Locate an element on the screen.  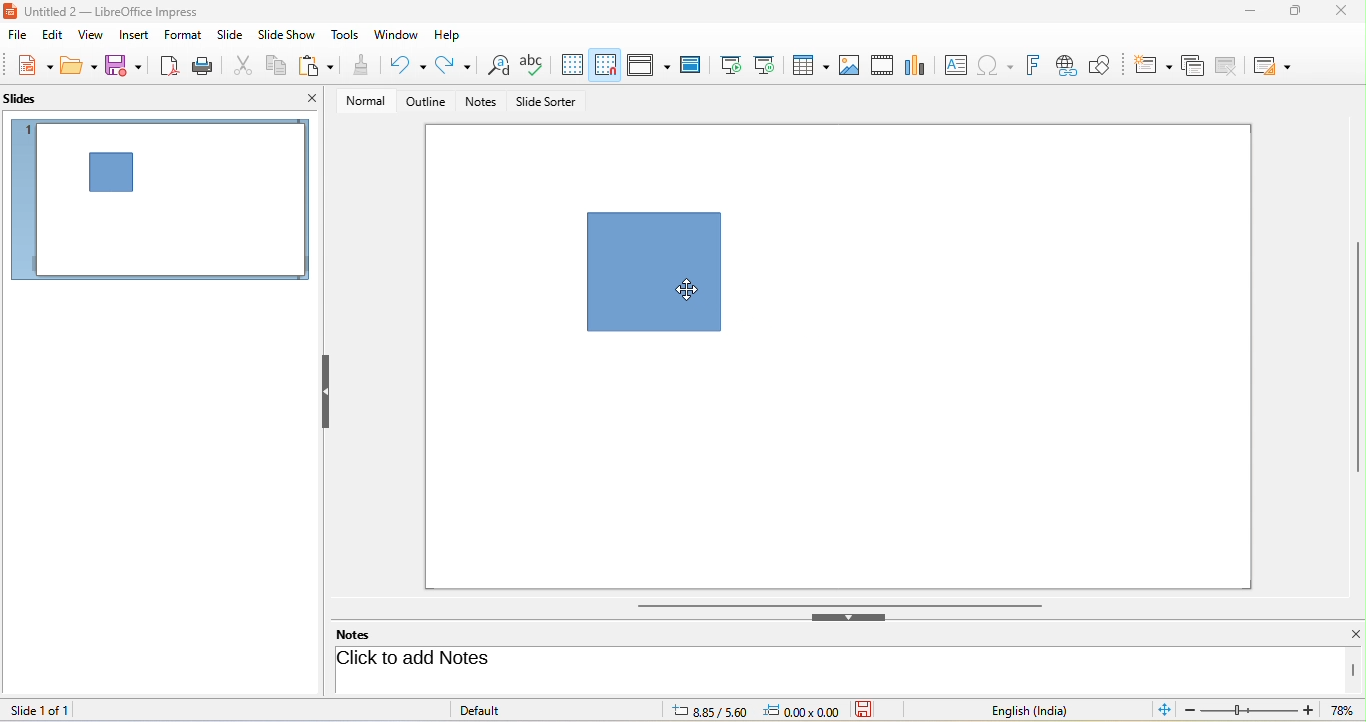
start from first slide  is located at coordinates (731, 64).